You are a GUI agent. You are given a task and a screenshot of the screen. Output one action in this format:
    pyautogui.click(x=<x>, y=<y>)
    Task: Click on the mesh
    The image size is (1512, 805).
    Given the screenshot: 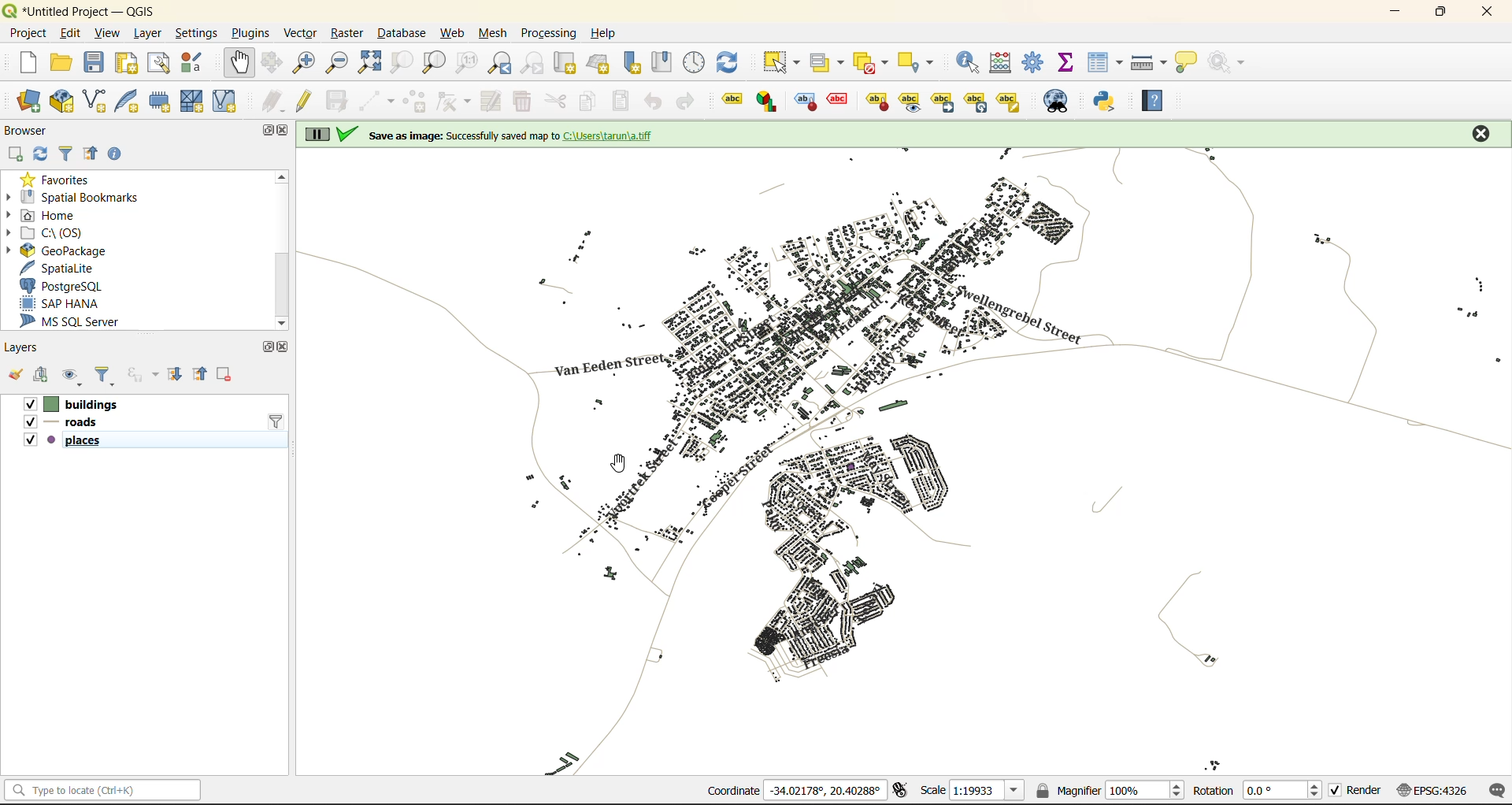 What is the action you would take?
    pyautogui.click(x=491, y=35)
    